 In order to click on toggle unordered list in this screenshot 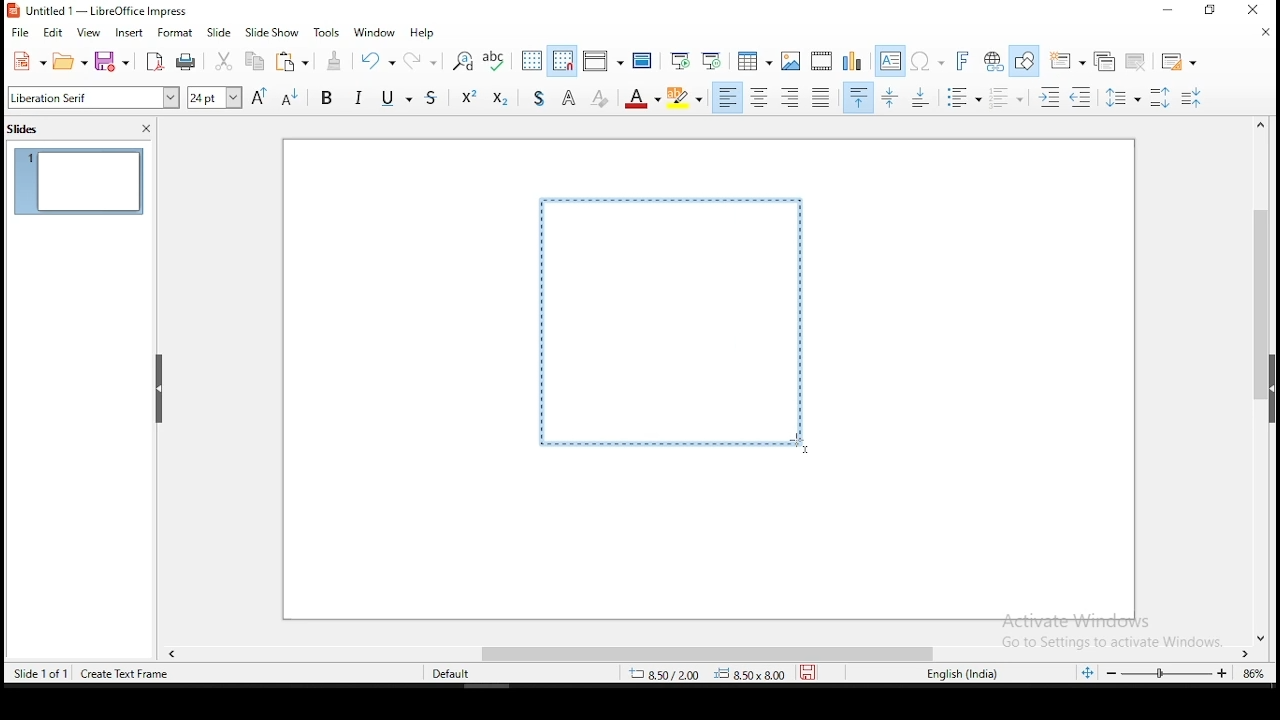, I will do `click(964, 99)`.